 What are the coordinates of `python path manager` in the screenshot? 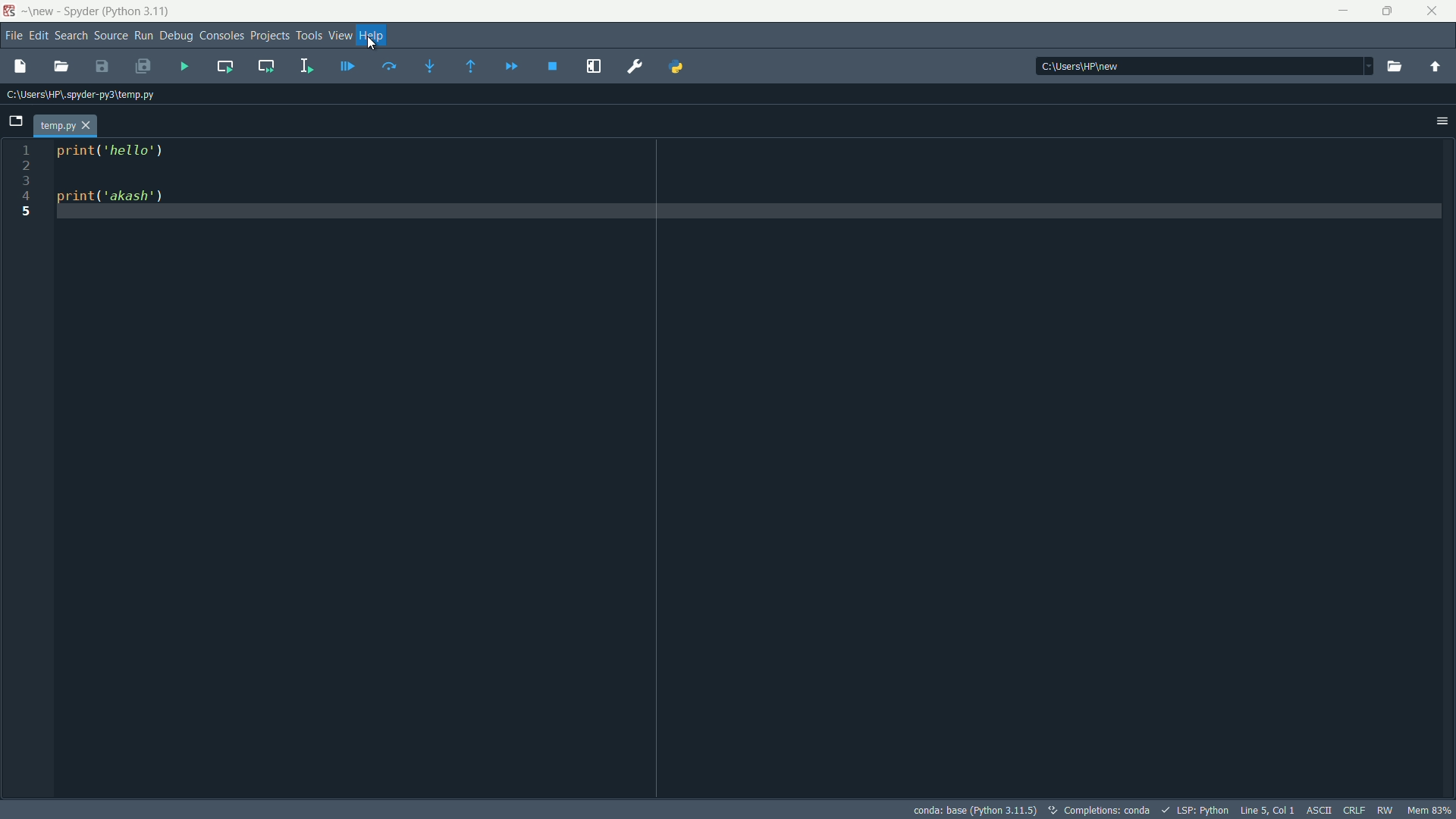 It's located at (680, 67).